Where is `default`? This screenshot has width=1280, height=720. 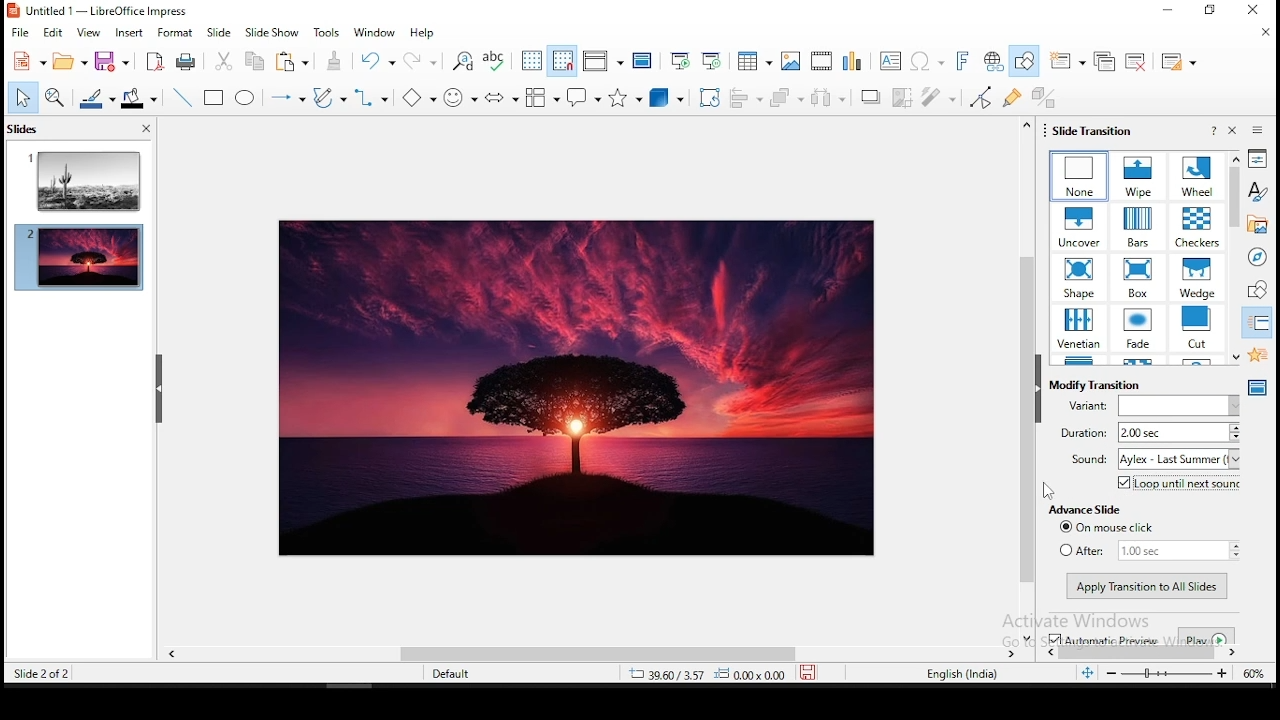
default is located at coordinates (453, 676).